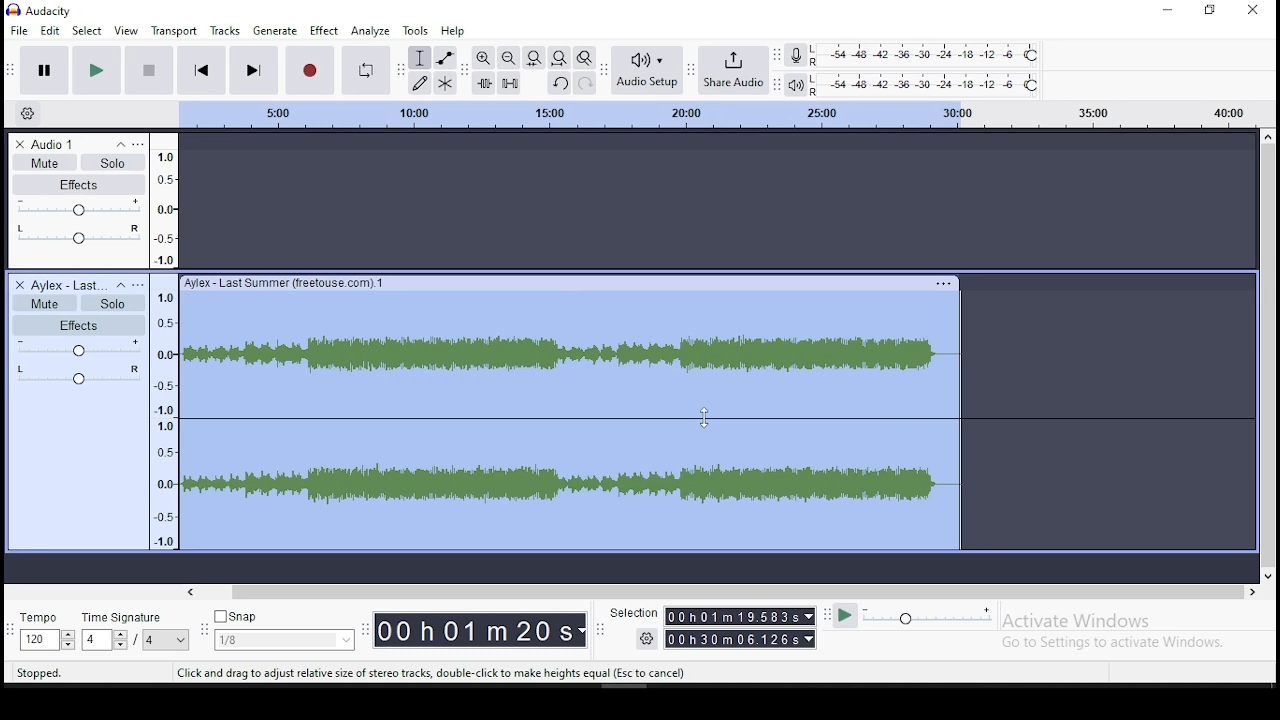 The width and height of the screenshot is (1280, 720). I want to click on time, so click(740, 629).